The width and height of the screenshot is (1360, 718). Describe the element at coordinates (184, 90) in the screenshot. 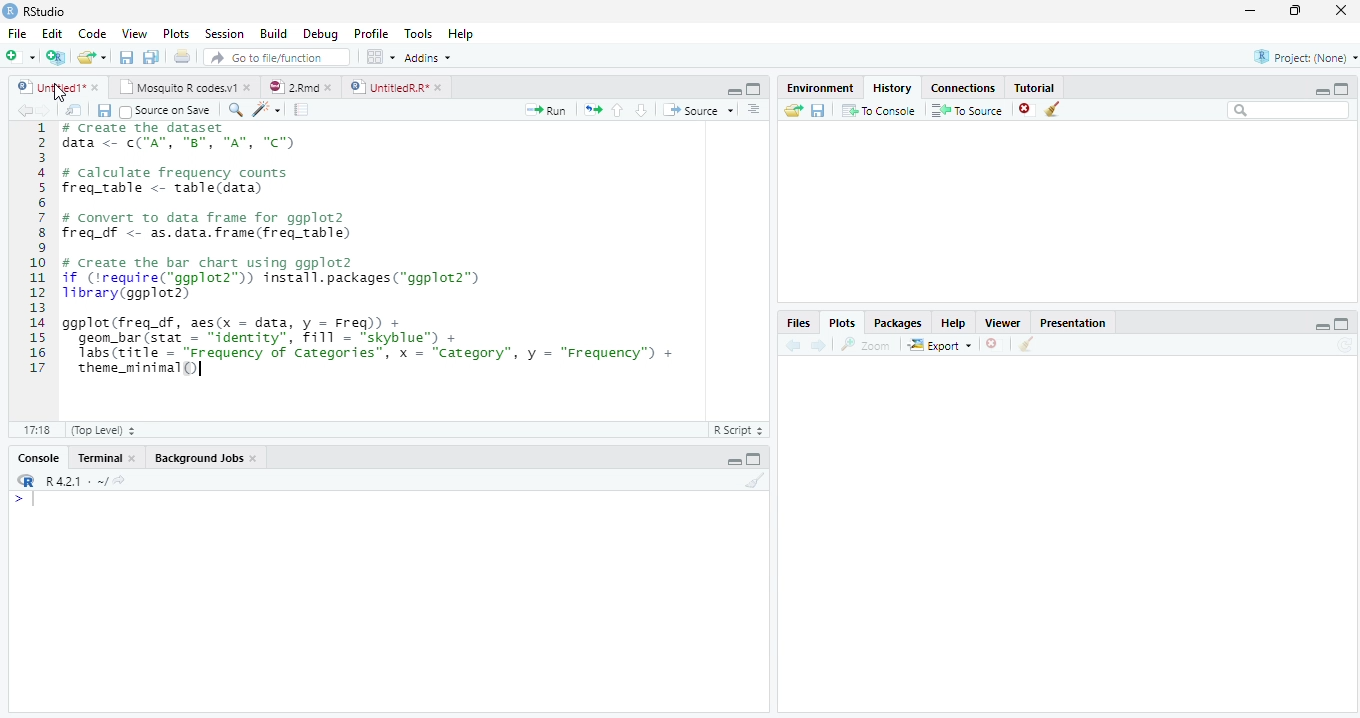

I see `Mosquito R codes1` at that location.